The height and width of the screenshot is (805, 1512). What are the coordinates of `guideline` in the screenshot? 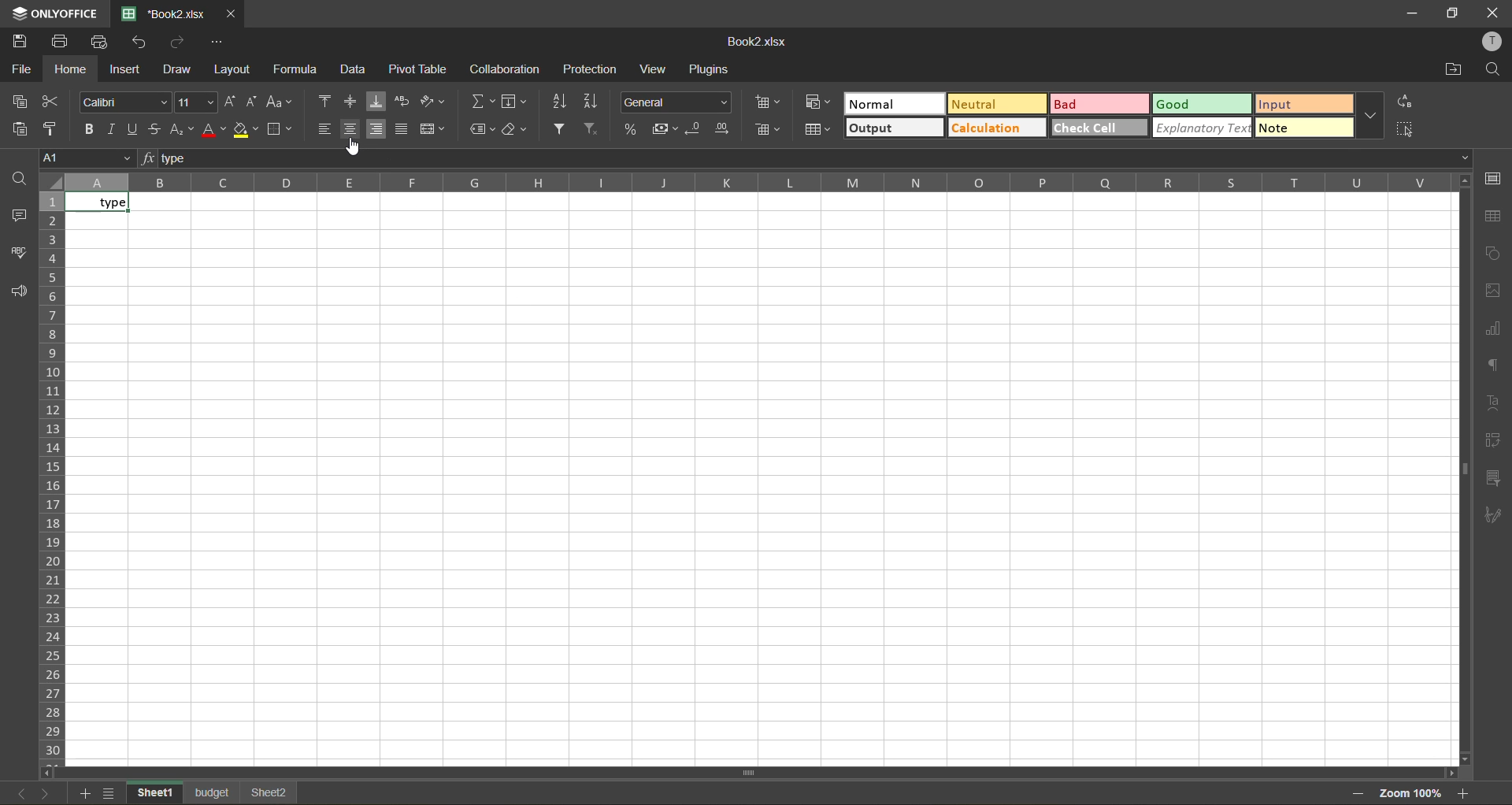 It's located at (53, 181).